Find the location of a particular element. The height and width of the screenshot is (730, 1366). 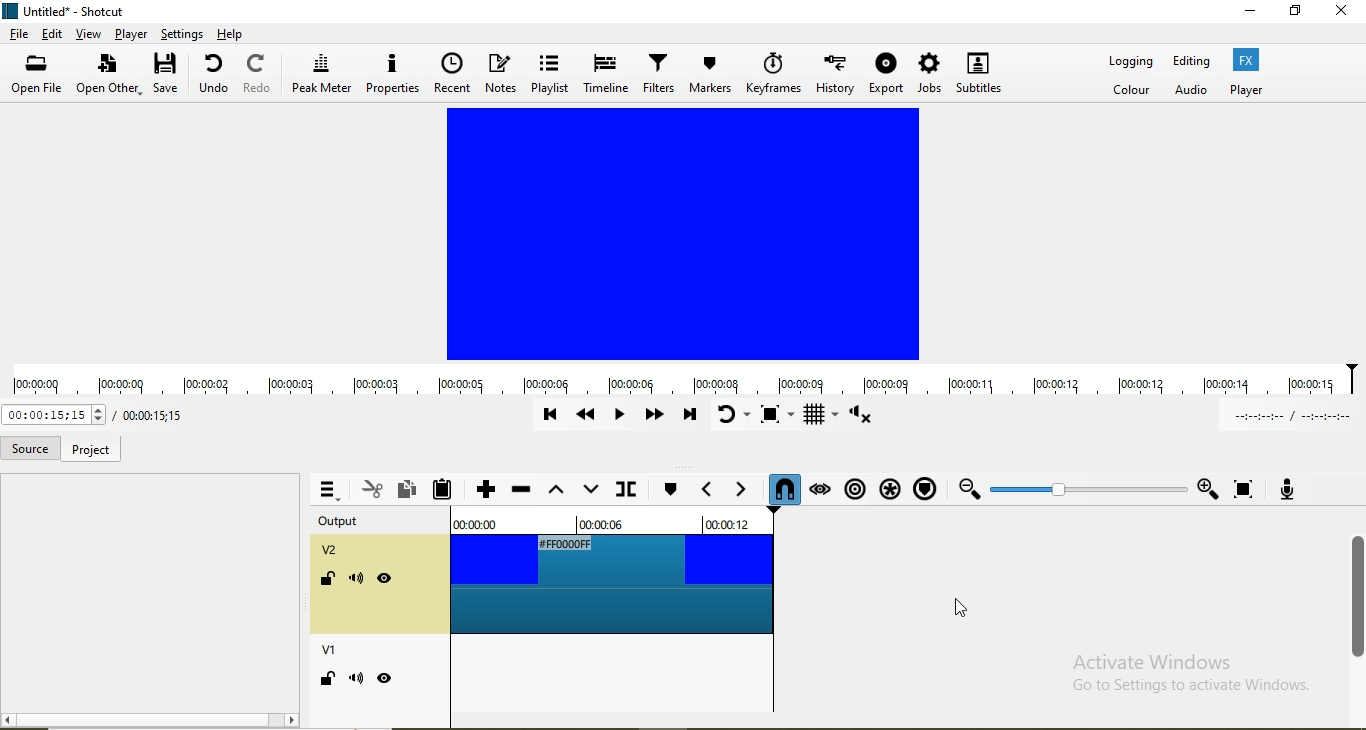

Timeline menu is located at coordinates (327, 490).